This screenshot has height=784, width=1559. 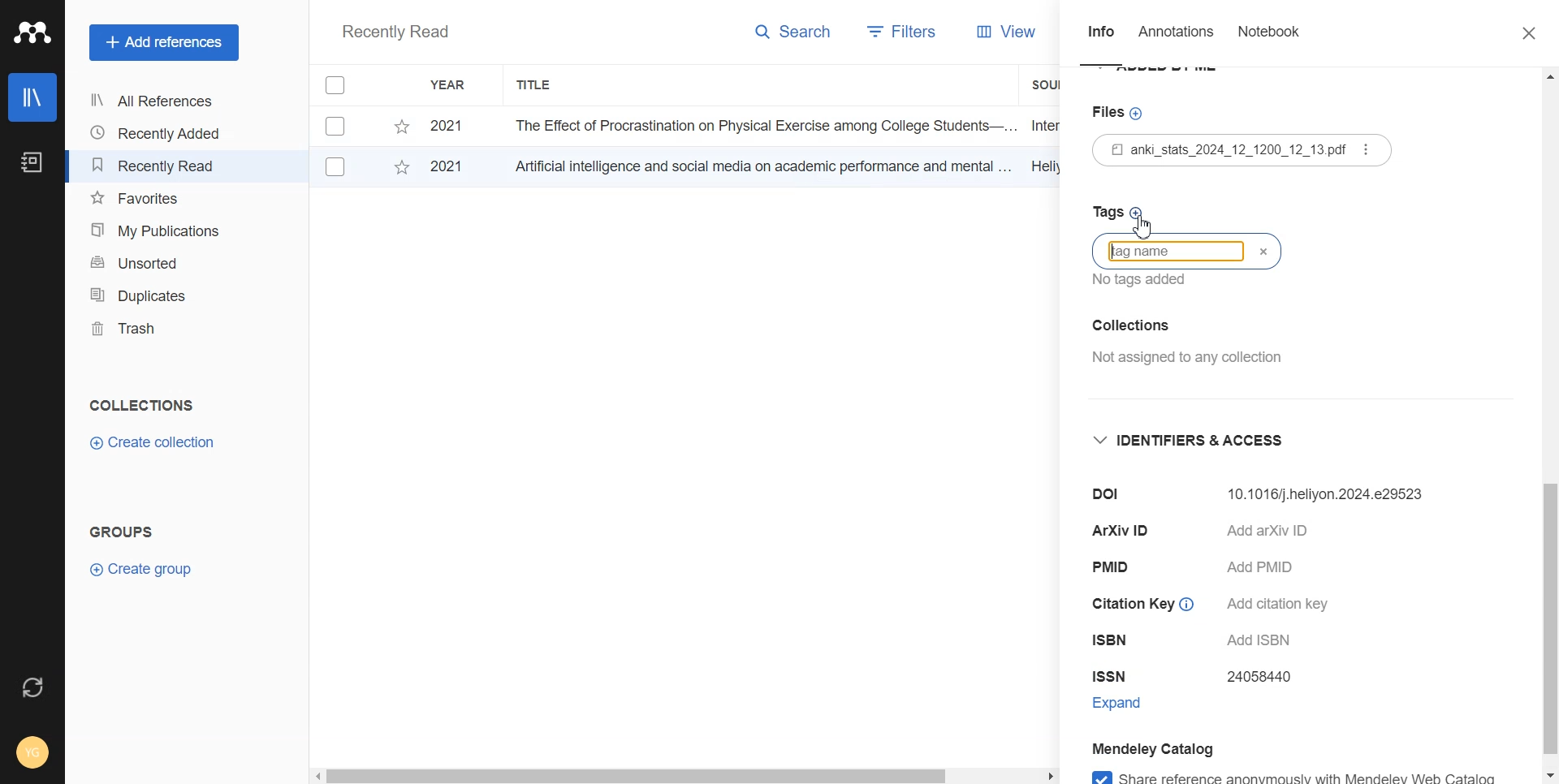 I want to click on No tags added, so click(x=1146, y=286).